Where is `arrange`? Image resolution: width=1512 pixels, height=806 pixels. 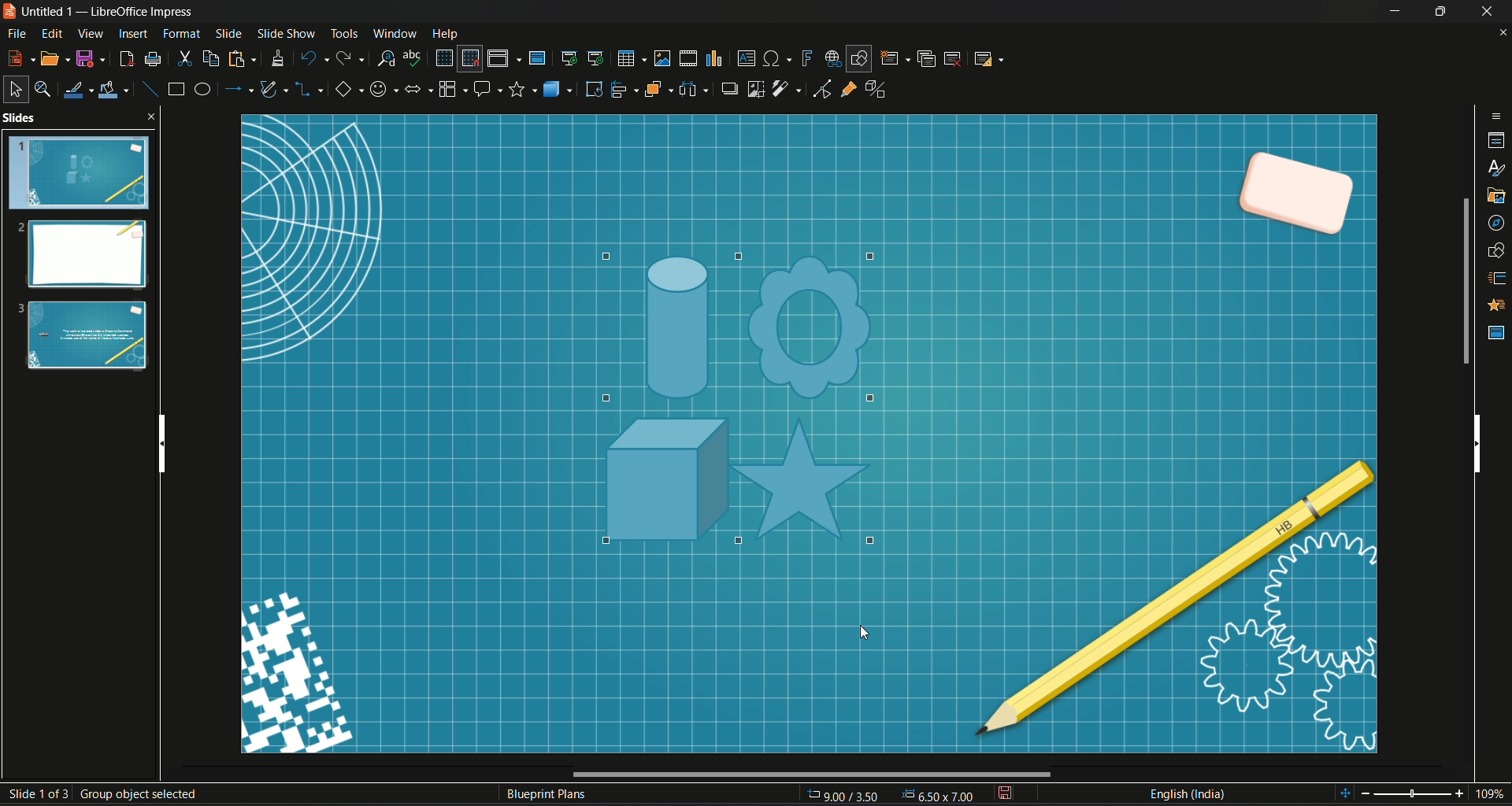
arrange is located at coordinates (658, 90).